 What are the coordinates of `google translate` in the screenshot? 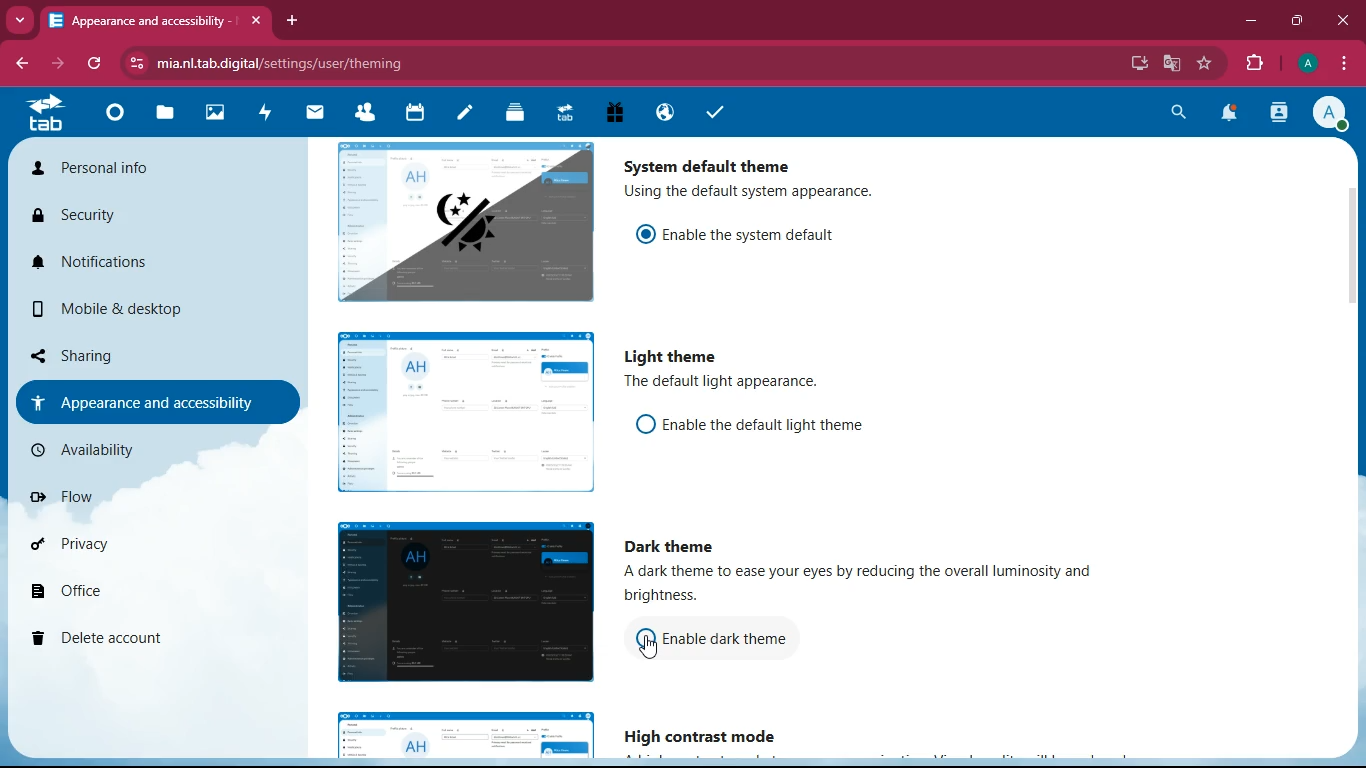 It's located at (1176, 64).